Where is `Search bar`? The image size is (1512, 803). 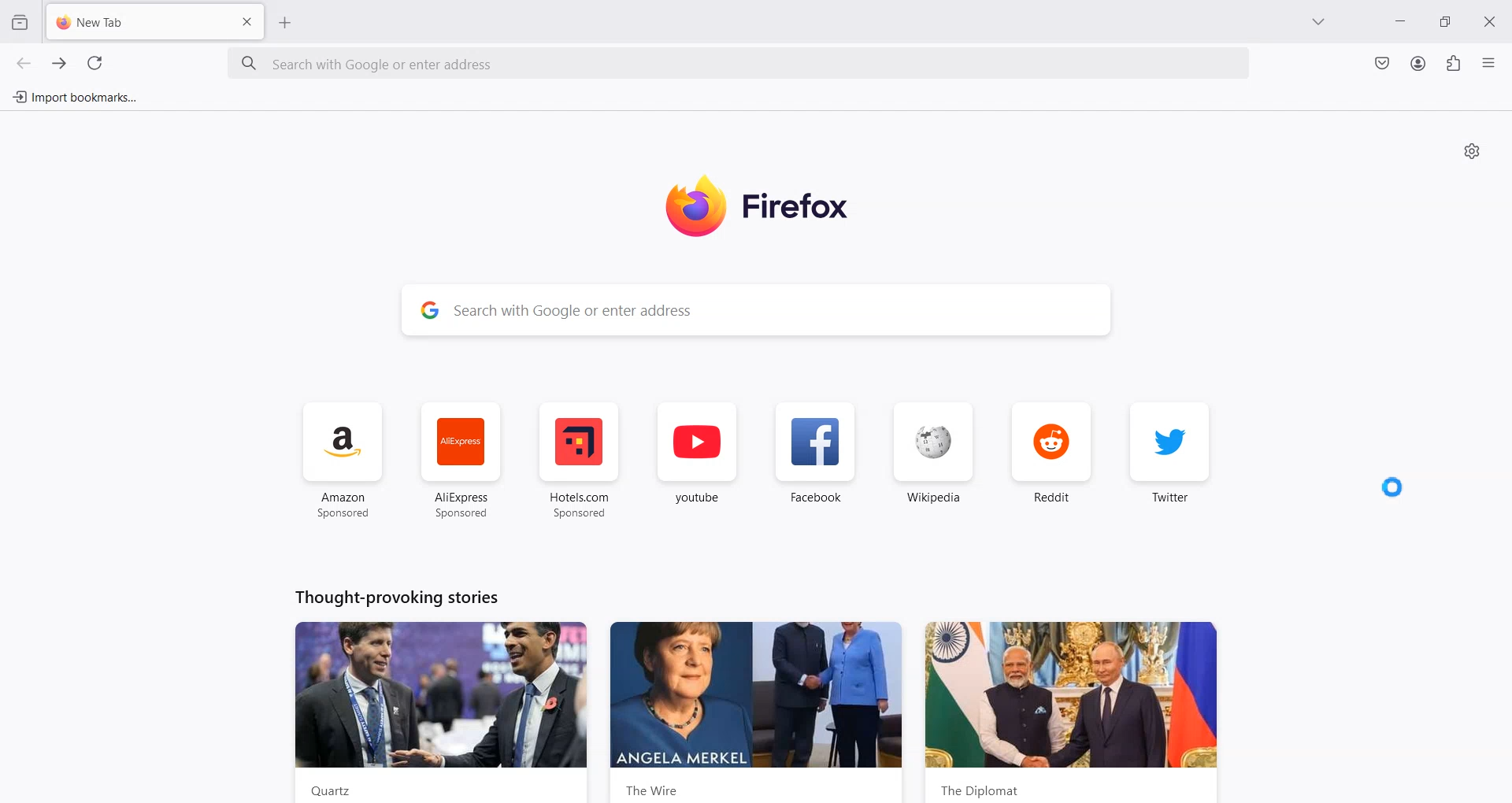
Search bar is located at coordinates (740, 65).